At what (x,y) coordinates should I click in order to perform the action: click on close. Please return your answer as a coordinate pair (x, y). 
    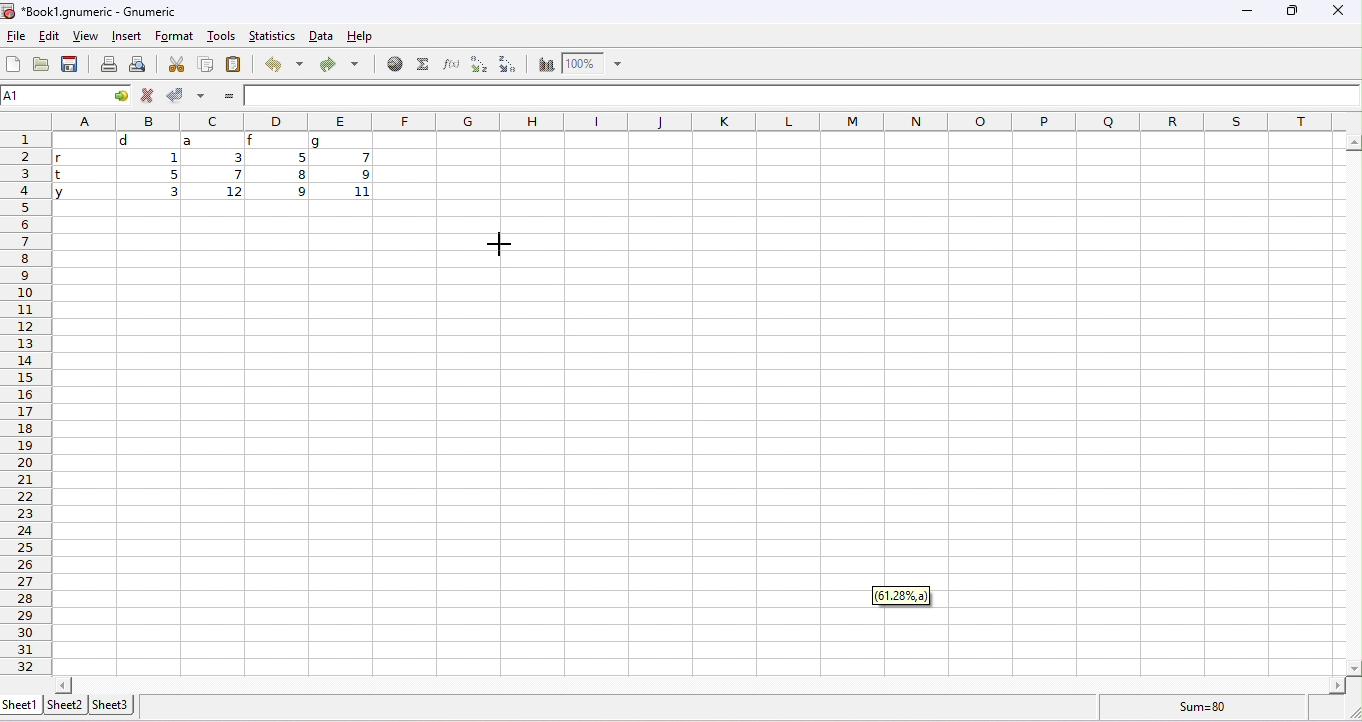
    Looking at the image, I should click on (1339, 13).